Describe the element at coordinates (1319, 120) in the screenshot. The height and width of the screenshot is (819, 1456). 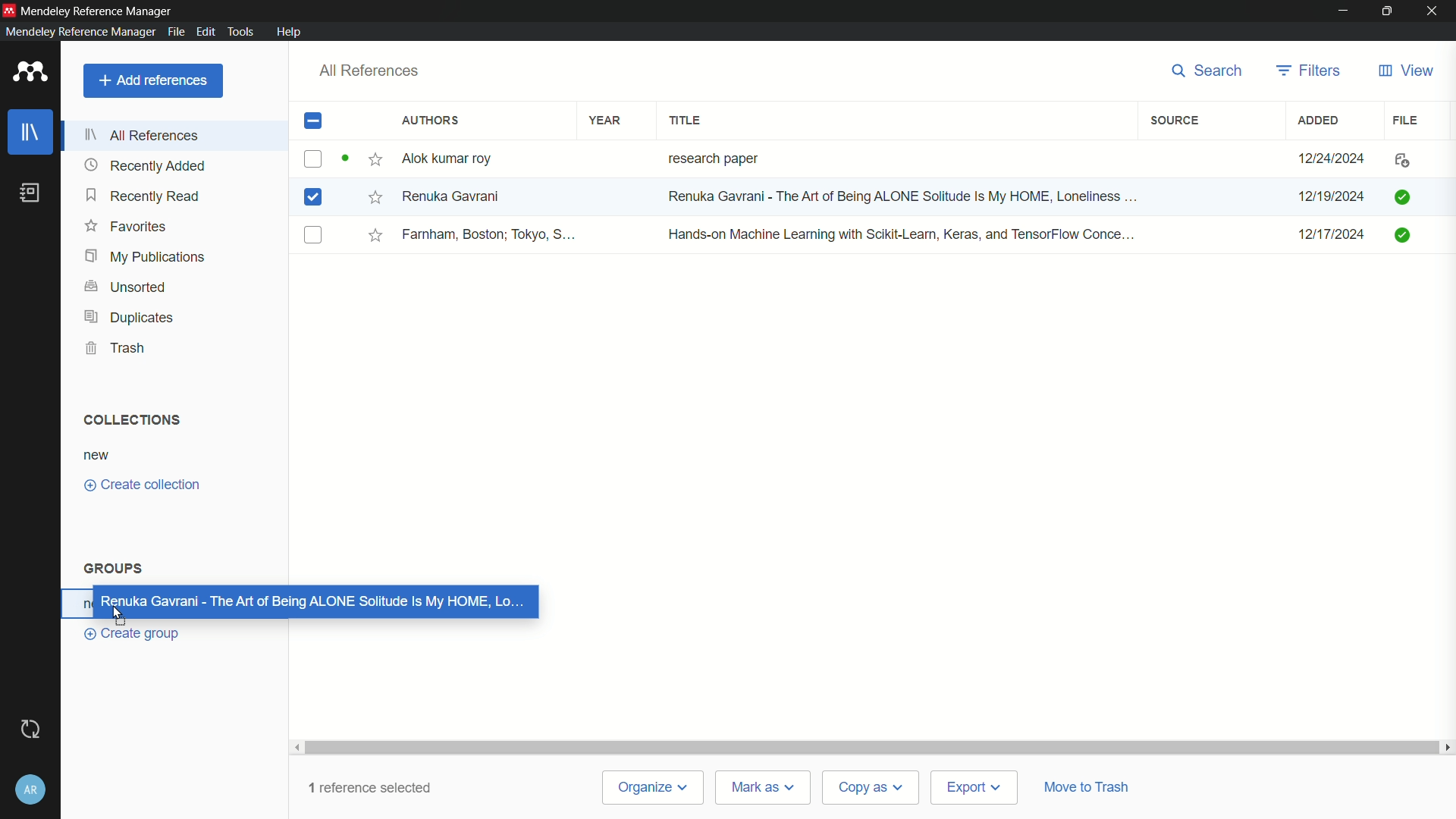
I see `added` at that location.